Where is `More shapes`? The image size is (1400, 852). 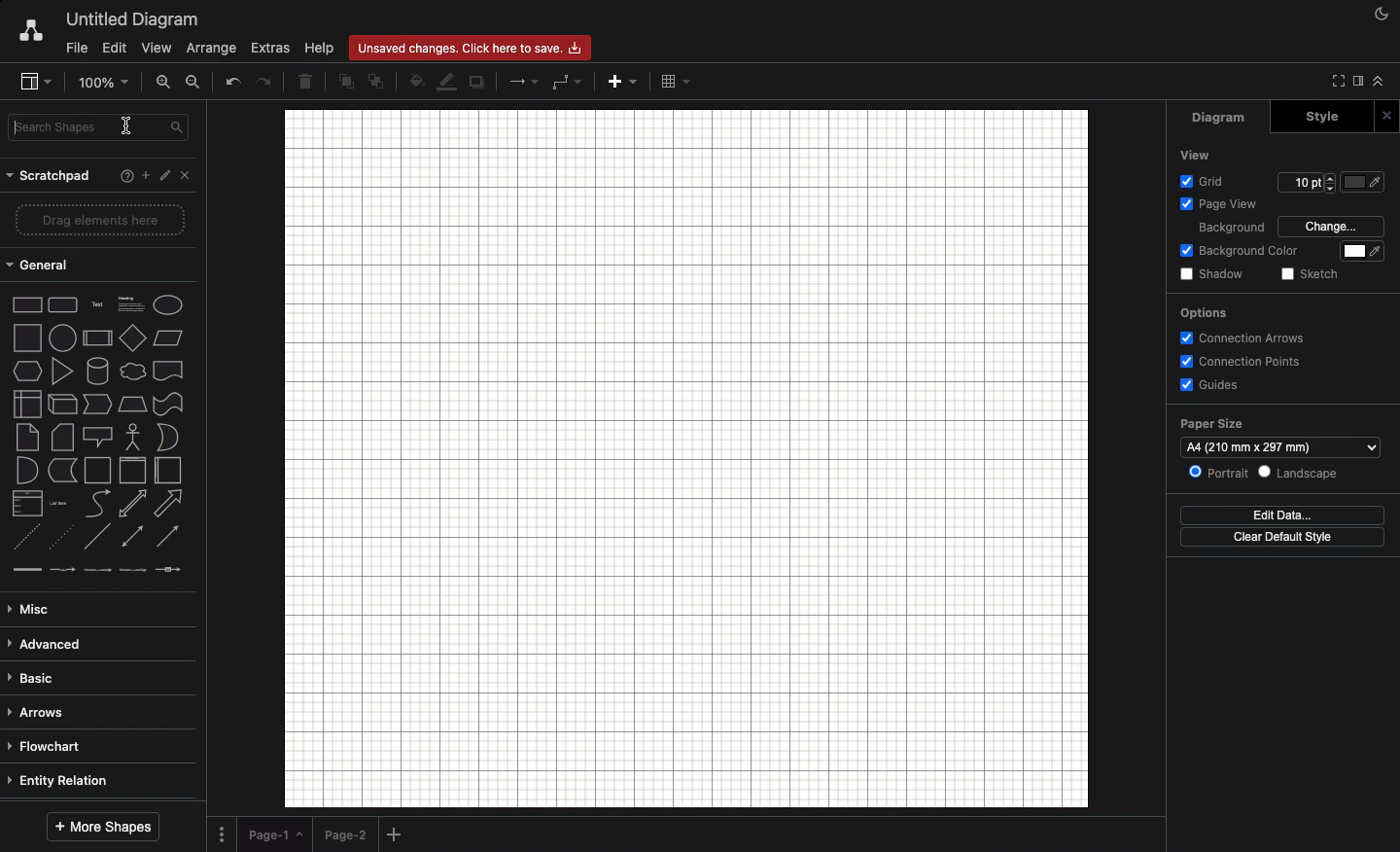
More shapes is located at coordinates (102, 828).